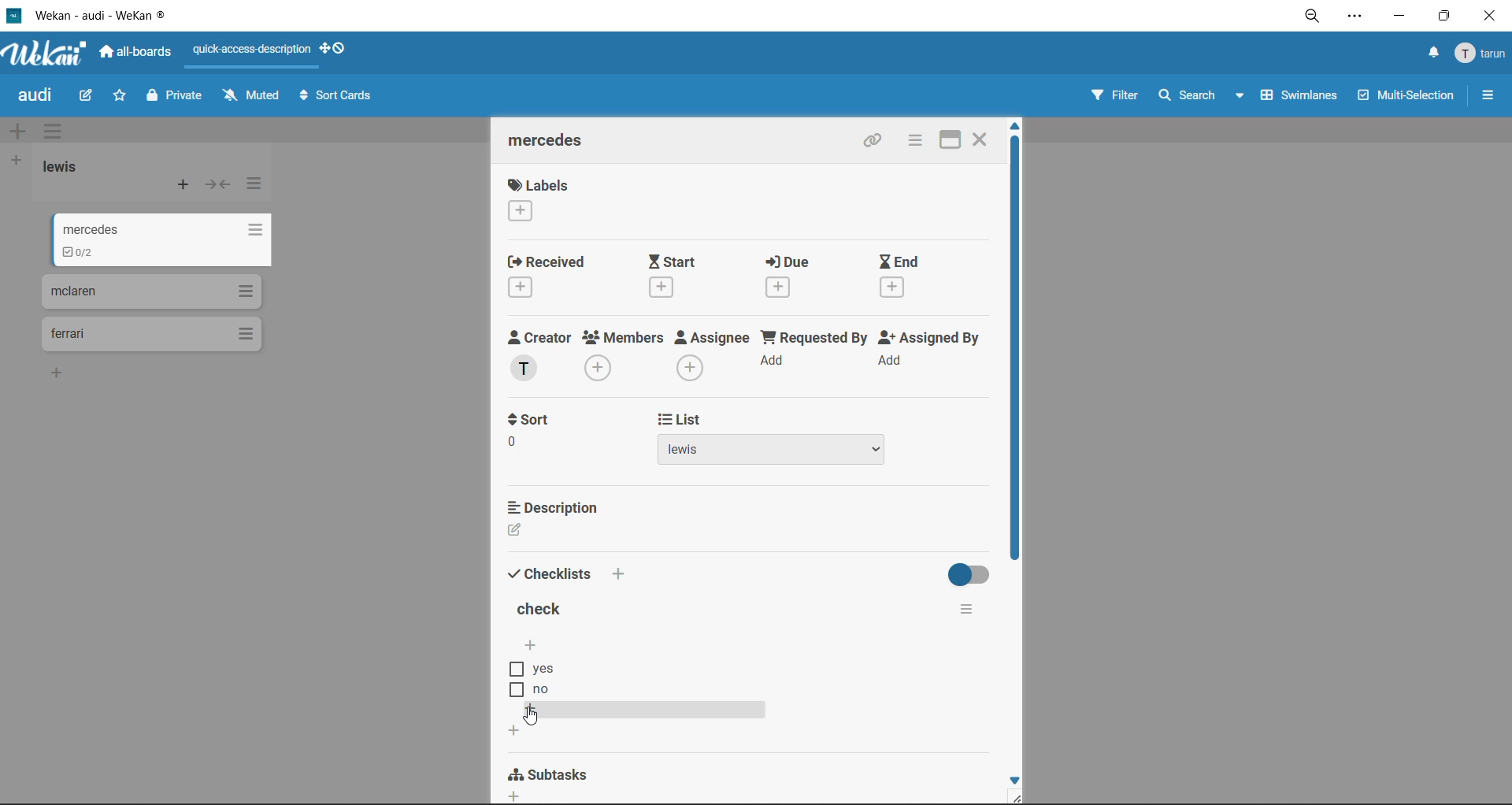 The image size is (1512, 805). I want to click on private, so click(179, 97).